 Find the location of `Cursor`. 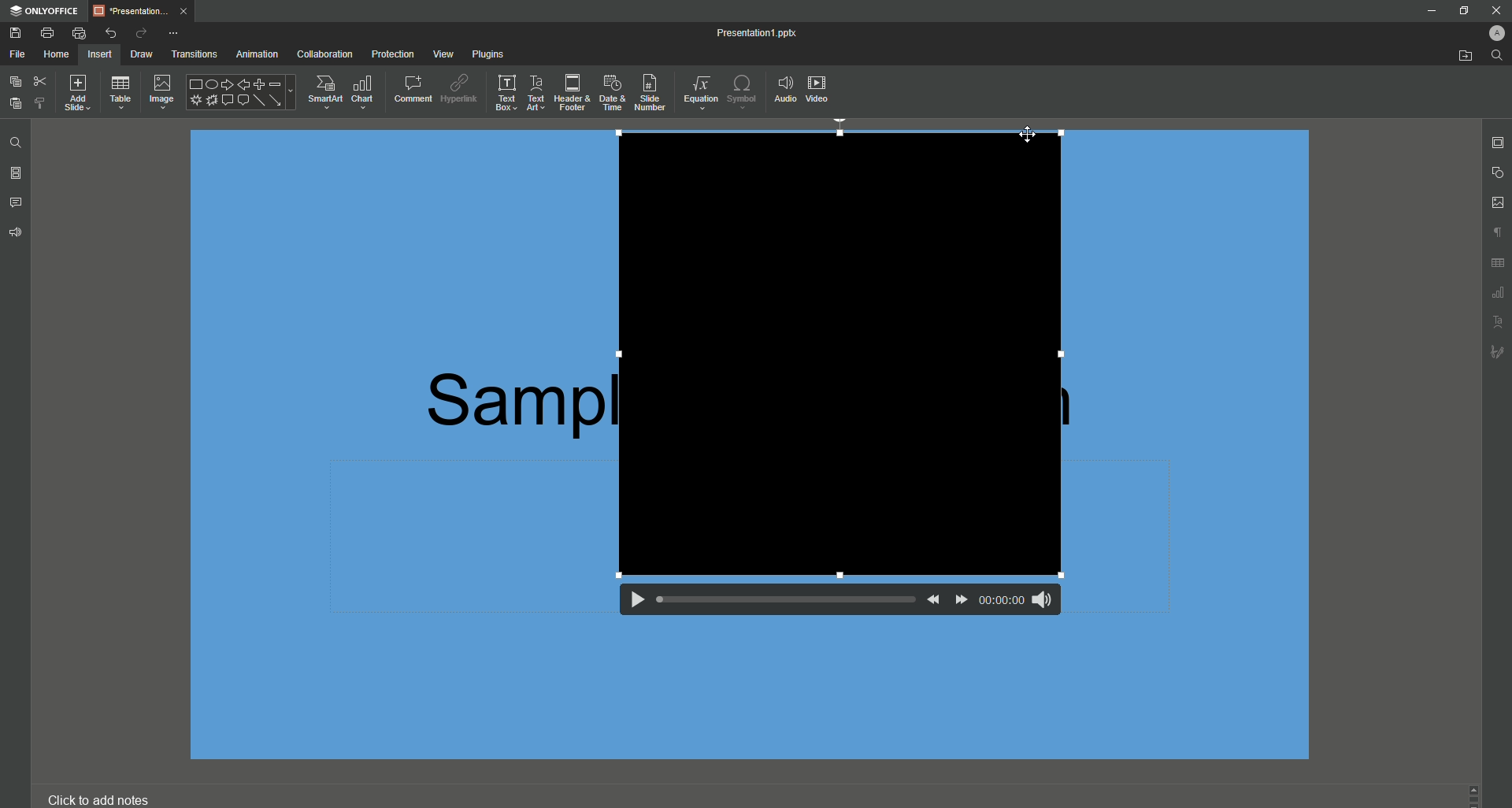

Cursor is located at coordinates (1029, 135).